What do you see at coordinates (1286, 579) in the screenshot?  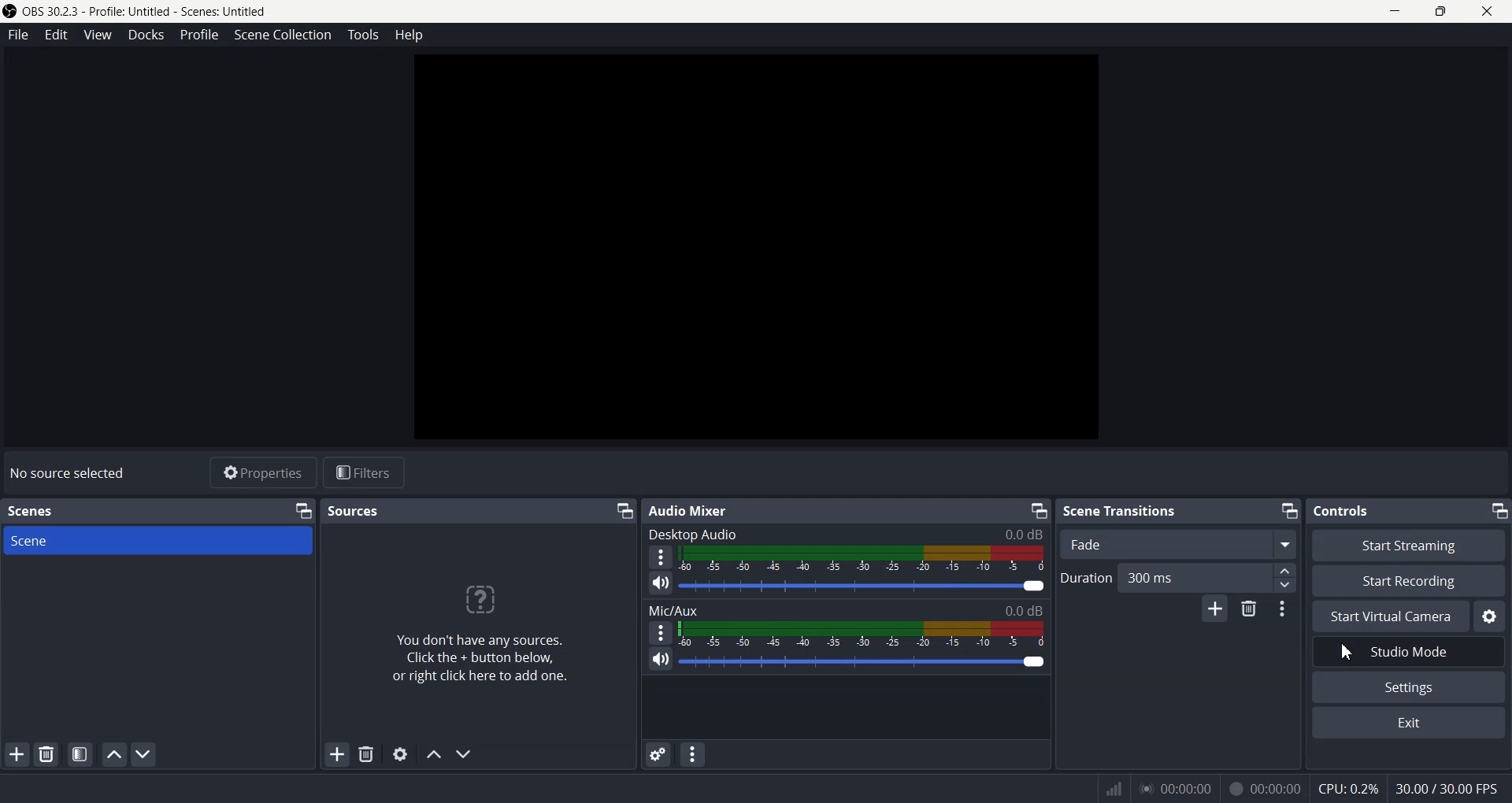 I see `Adjuster` at bounding box center [1286, 579].